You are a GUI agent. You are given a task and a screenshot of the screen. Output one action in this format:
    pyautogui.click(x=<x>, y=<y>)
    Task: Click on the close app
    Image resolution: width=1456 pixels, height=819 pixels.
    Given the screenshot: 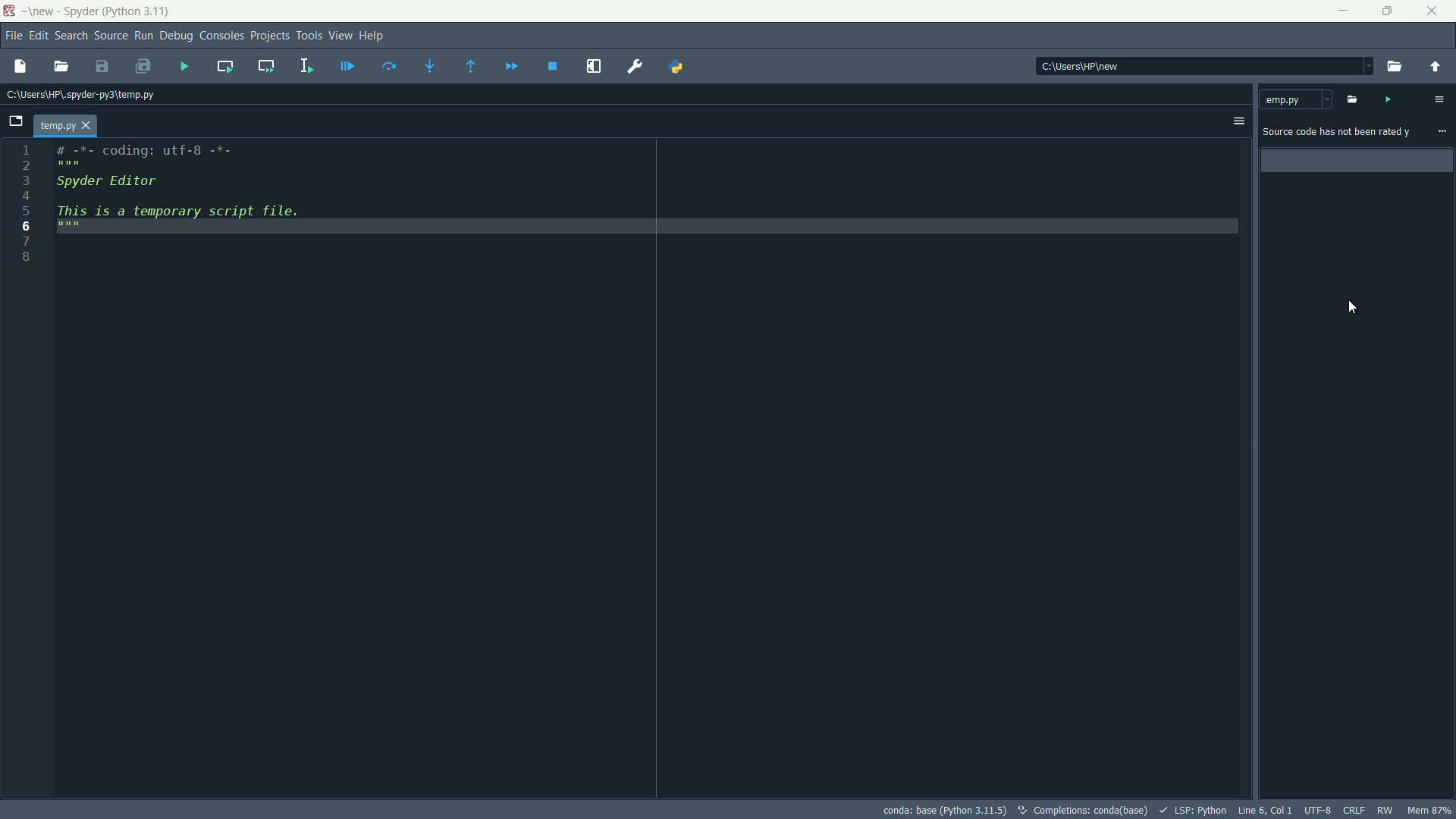 What is the action you would take?
    pyautogui.click(x=1435, y=11)
    